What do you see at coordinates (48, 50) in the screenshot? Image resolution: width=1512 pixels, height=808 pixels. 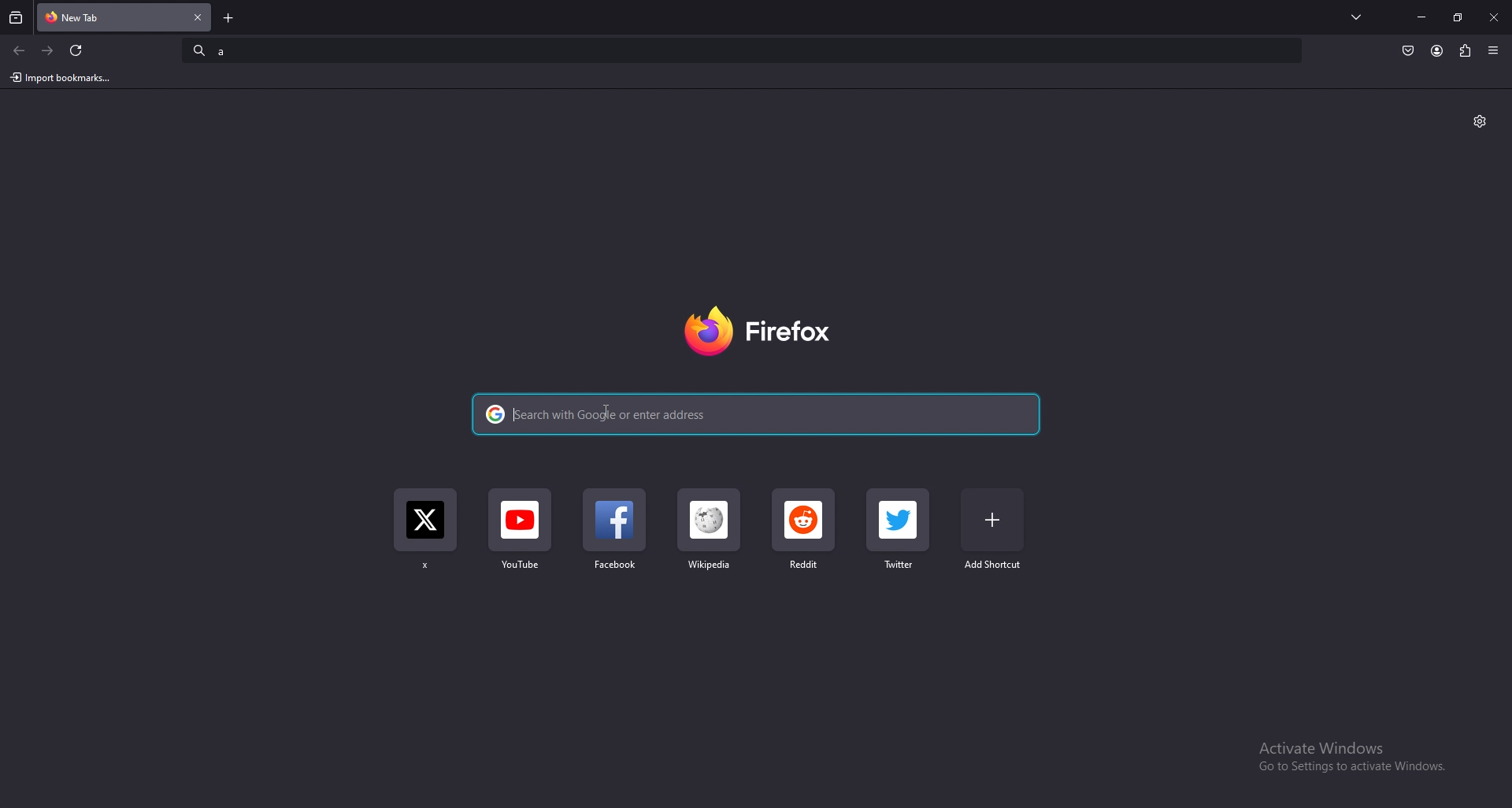 I see `forward` at bounding box center [48, 50].